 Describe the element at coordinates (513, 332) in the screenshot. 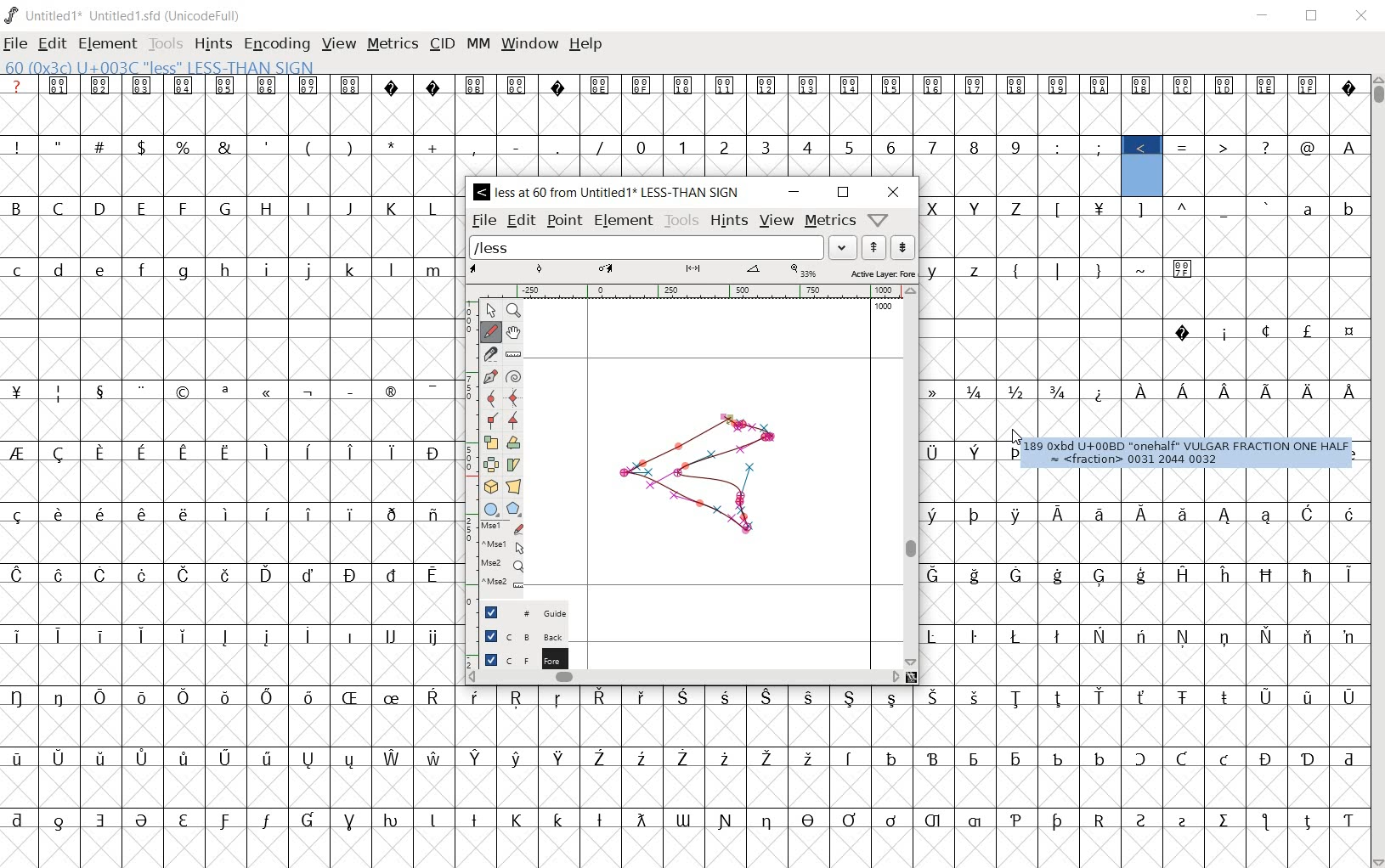

I see `scroll by hand` at that location.